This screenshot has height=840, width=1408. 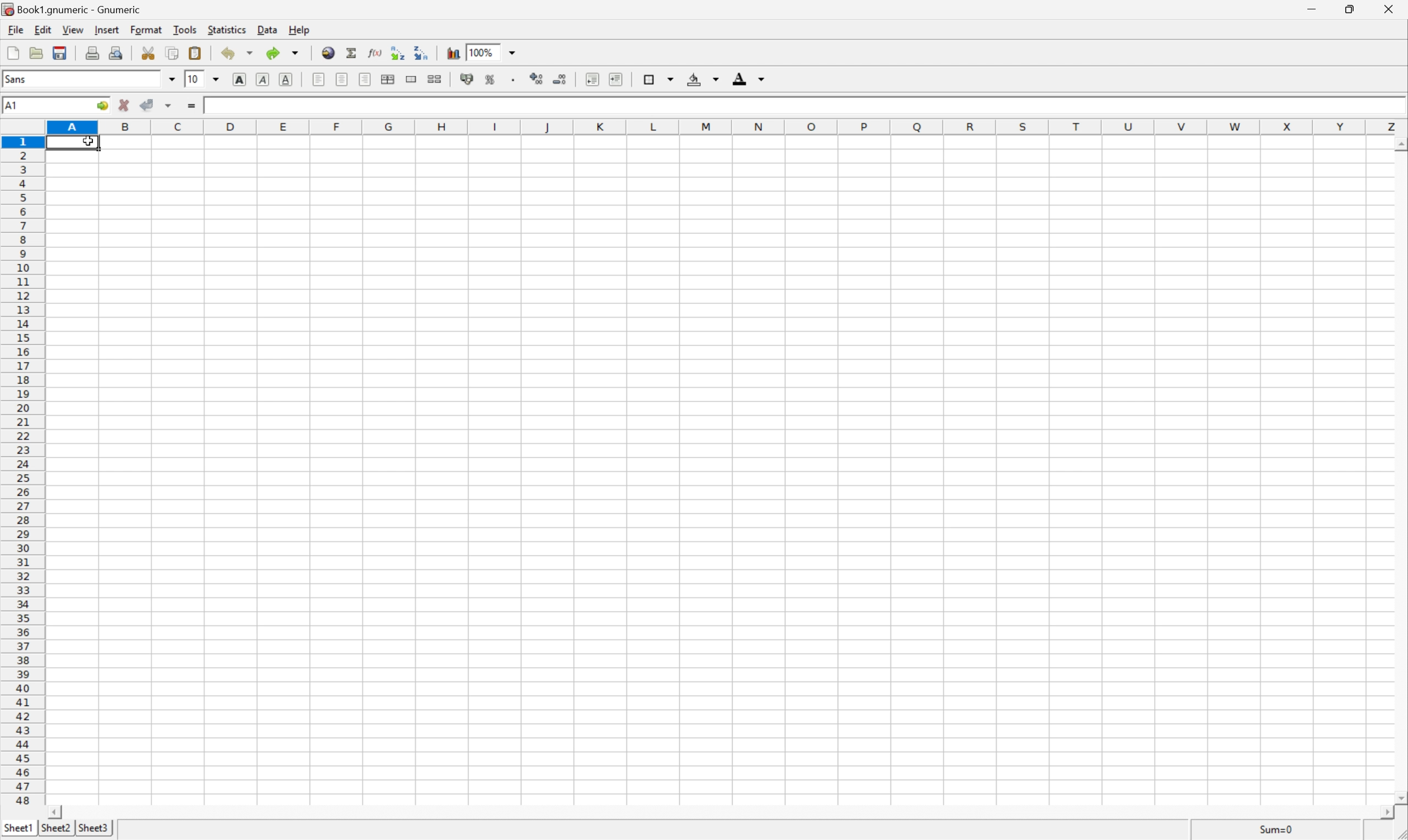 I want to click on copy, so click(x=173, y=52).